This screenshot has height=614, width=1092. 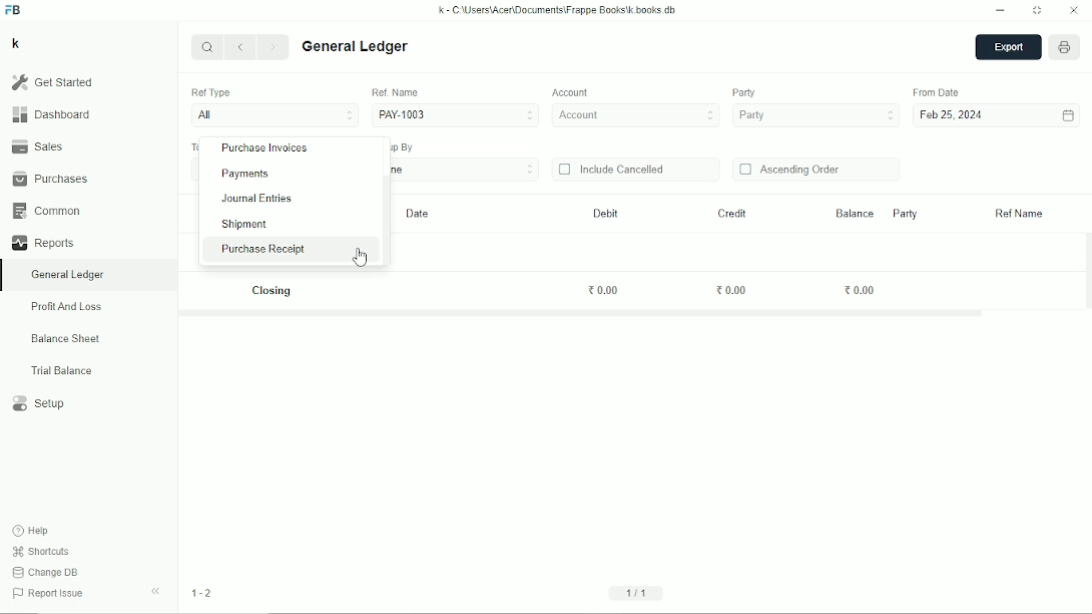 I want to click on Ascending order, so click(x=790, y=170).